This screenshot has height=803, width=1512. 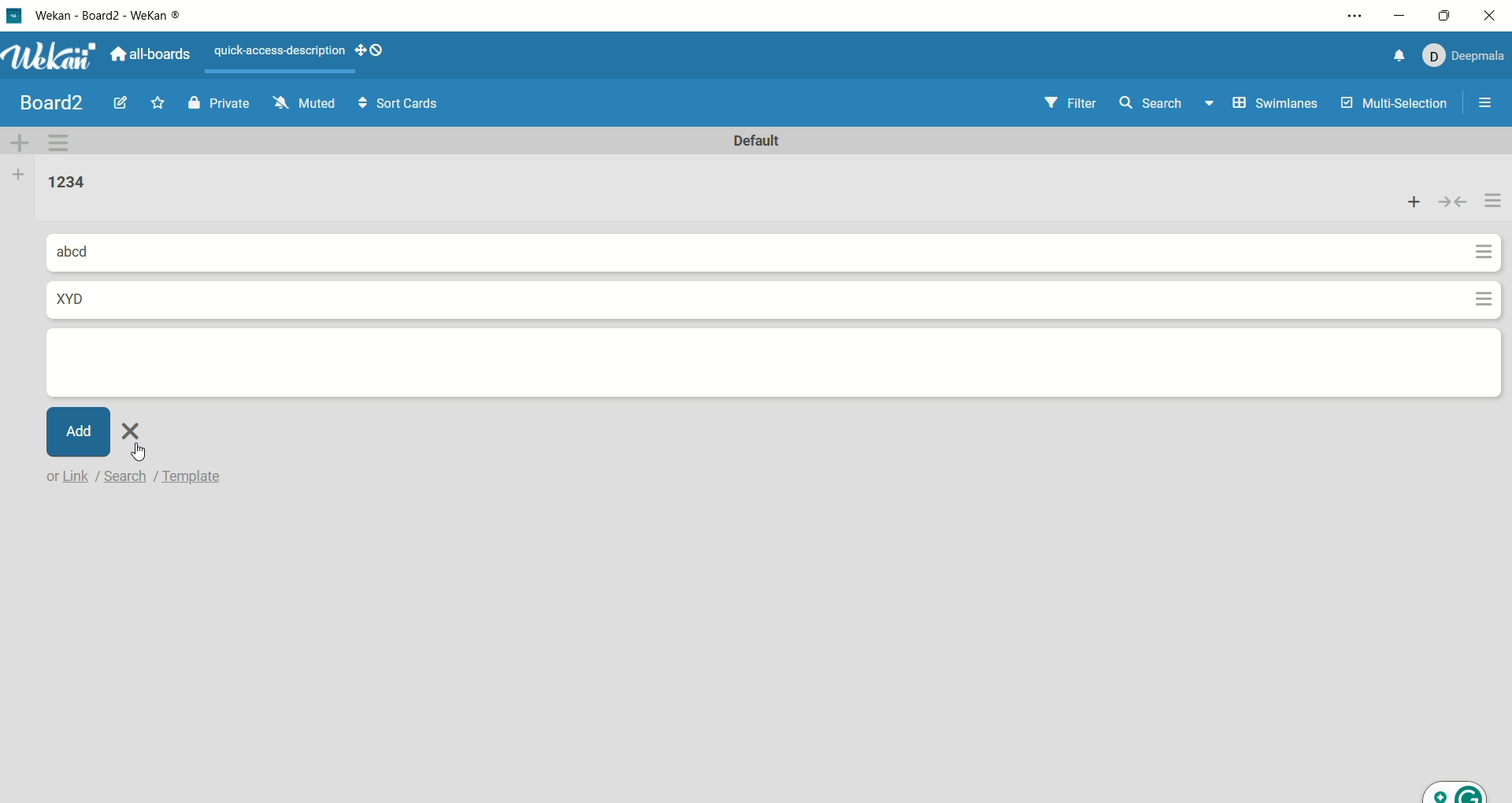 I want to click on list title, so click(x=57, y=181).